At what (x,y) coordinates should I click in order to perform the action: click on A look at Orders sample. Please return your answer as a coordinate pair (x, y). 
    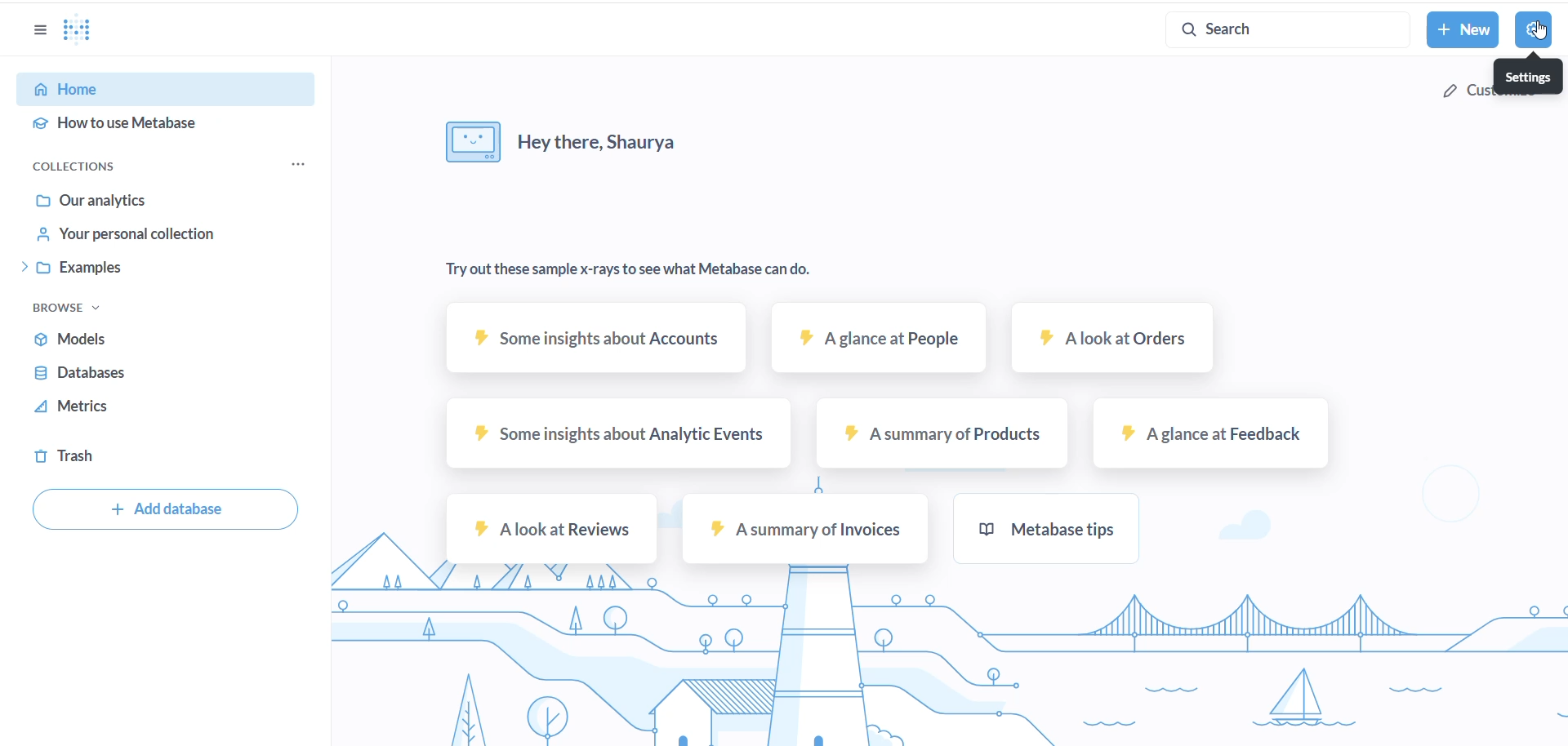
    Looking at the image, I should click on (1111, 340).